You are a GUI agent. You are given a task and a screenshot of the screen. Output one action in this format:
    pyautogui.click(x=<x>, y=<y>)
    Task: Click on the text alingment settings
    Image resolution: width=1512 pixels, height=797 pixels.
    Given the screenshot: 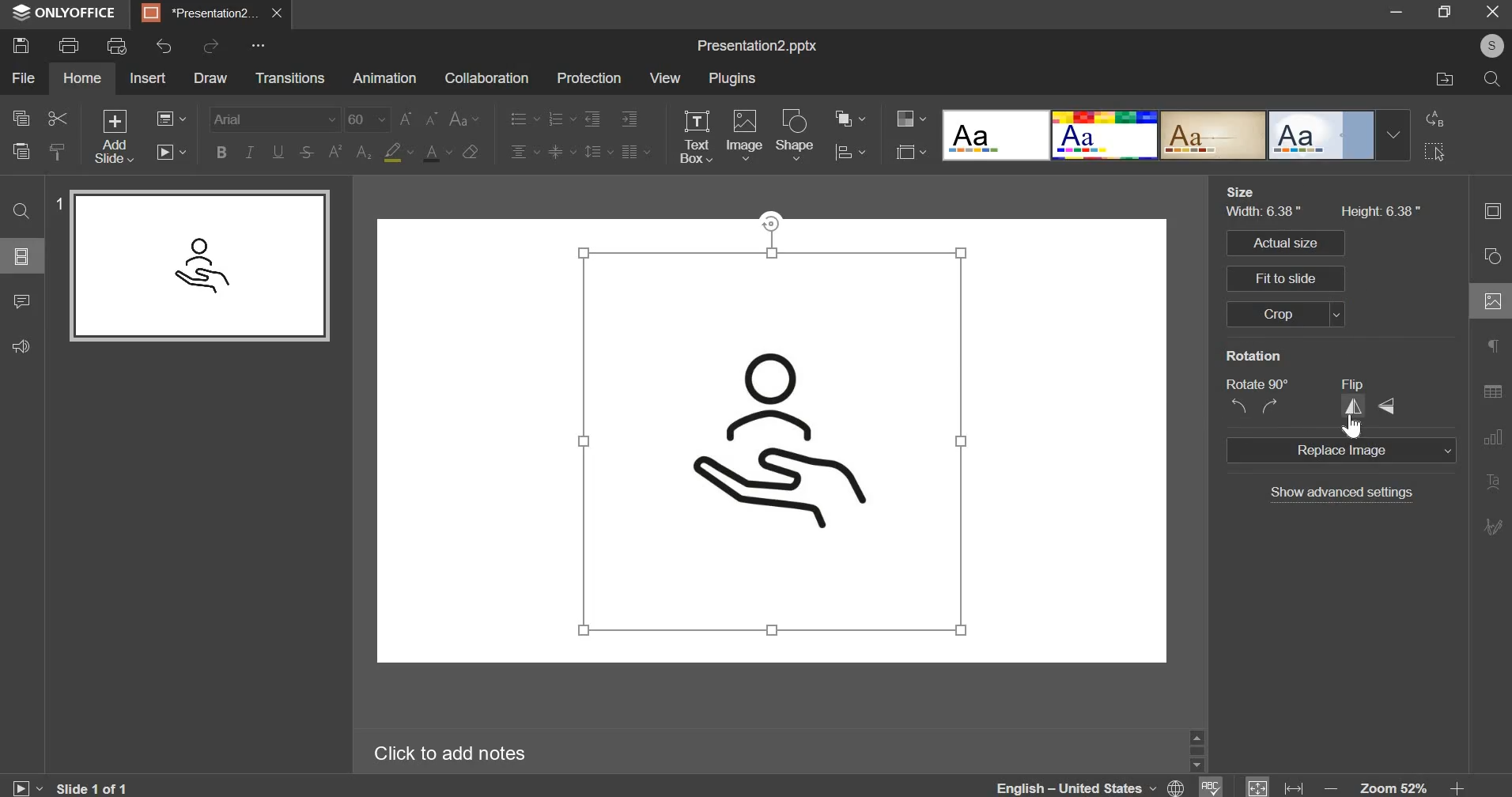 What is the action you would take?
    pyautogui.click(x=578, y=135)
    